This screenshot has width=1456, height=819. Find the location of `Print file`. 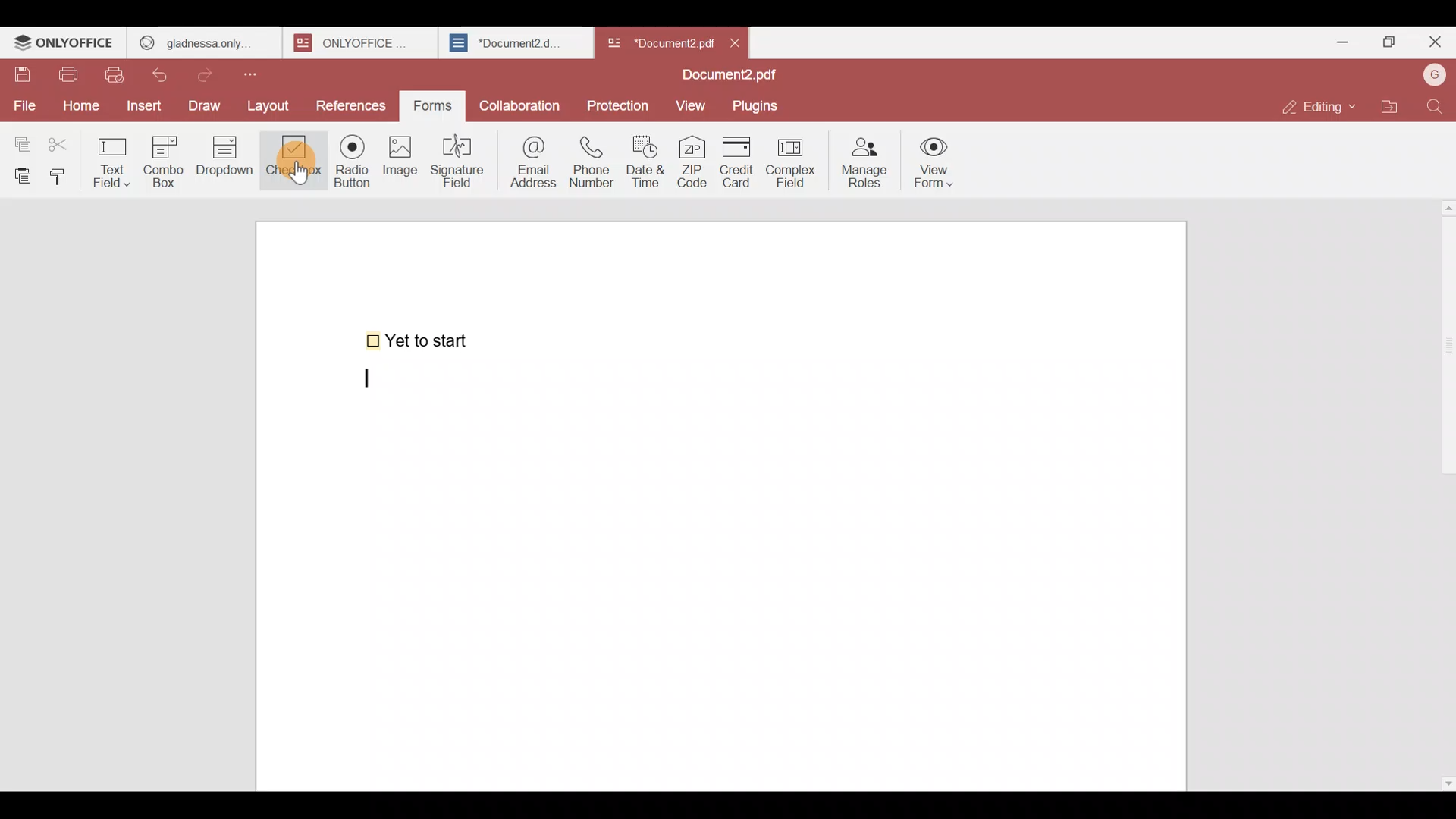

Print file is located at coordinates (71, 76).